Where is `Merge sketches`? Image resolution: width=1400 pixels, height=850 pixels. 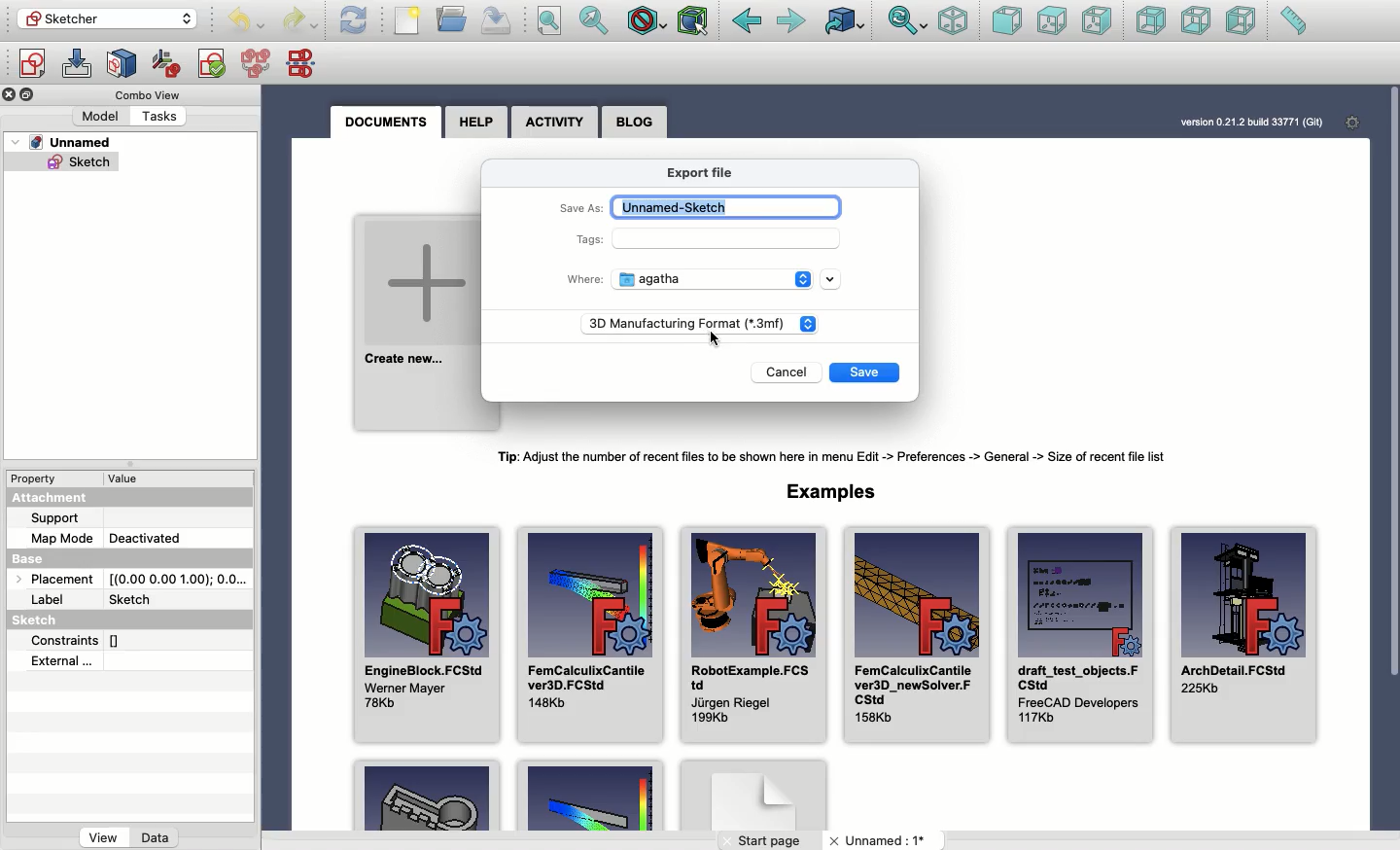
Merge sketches is located at coordinates (257, 64).